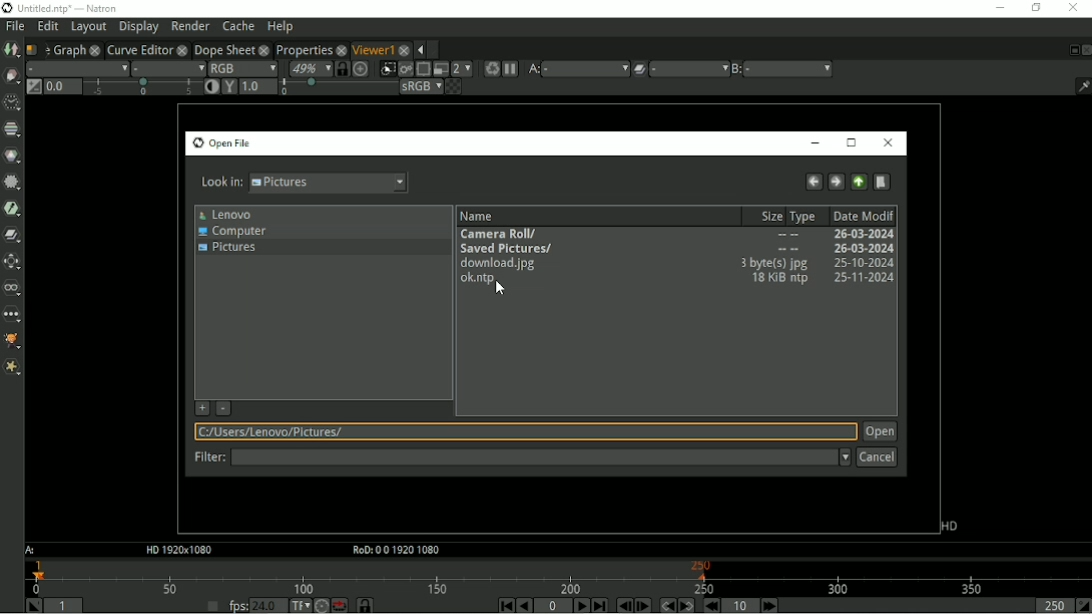 This screenshot has width=1092, height=614. What do you see at coordinates (462, 68) in the screenshot?
I see `Scale down rendered image` at bounding box center [462, 68].